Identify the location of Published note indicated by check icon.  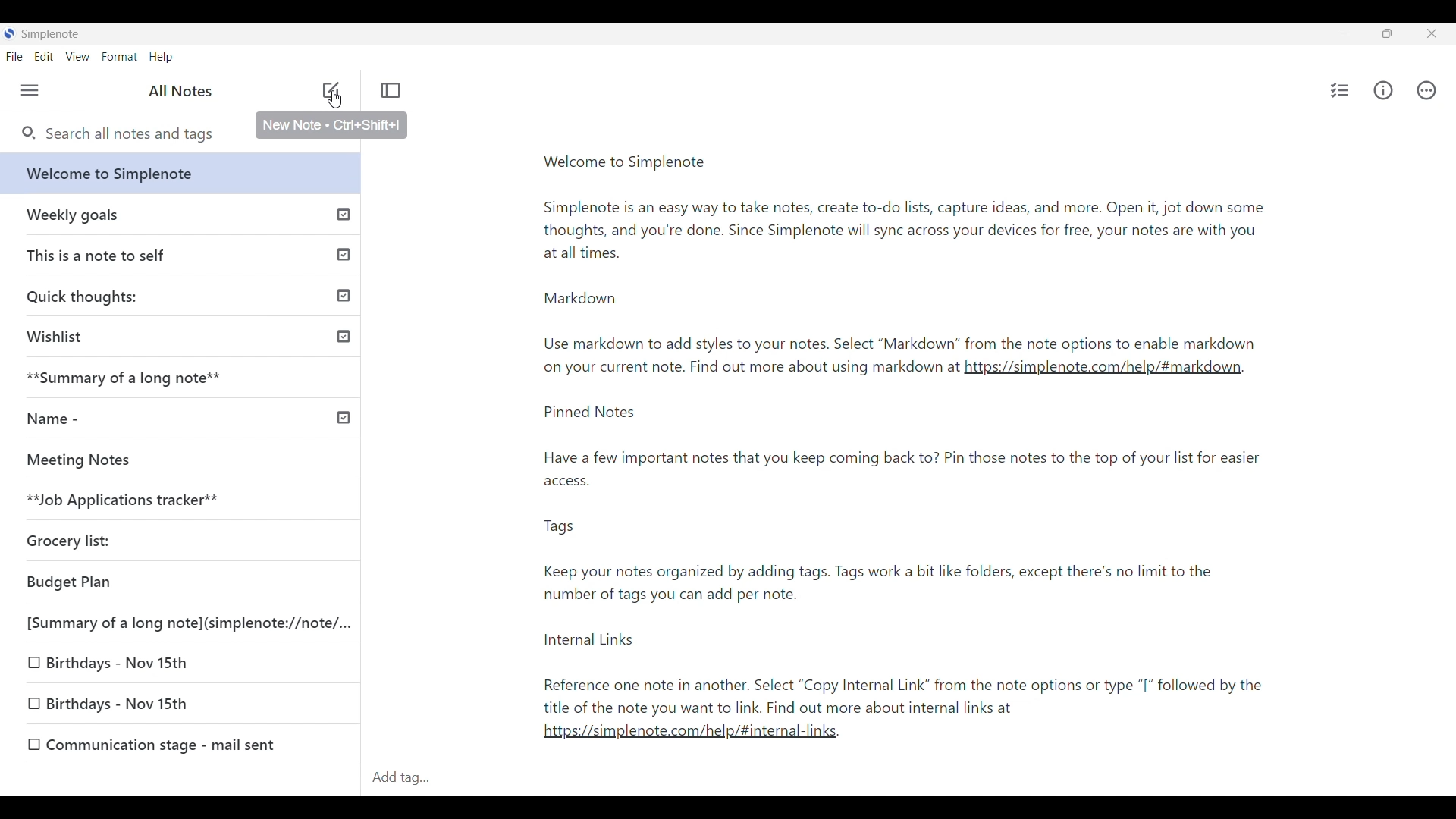
(187, 334).